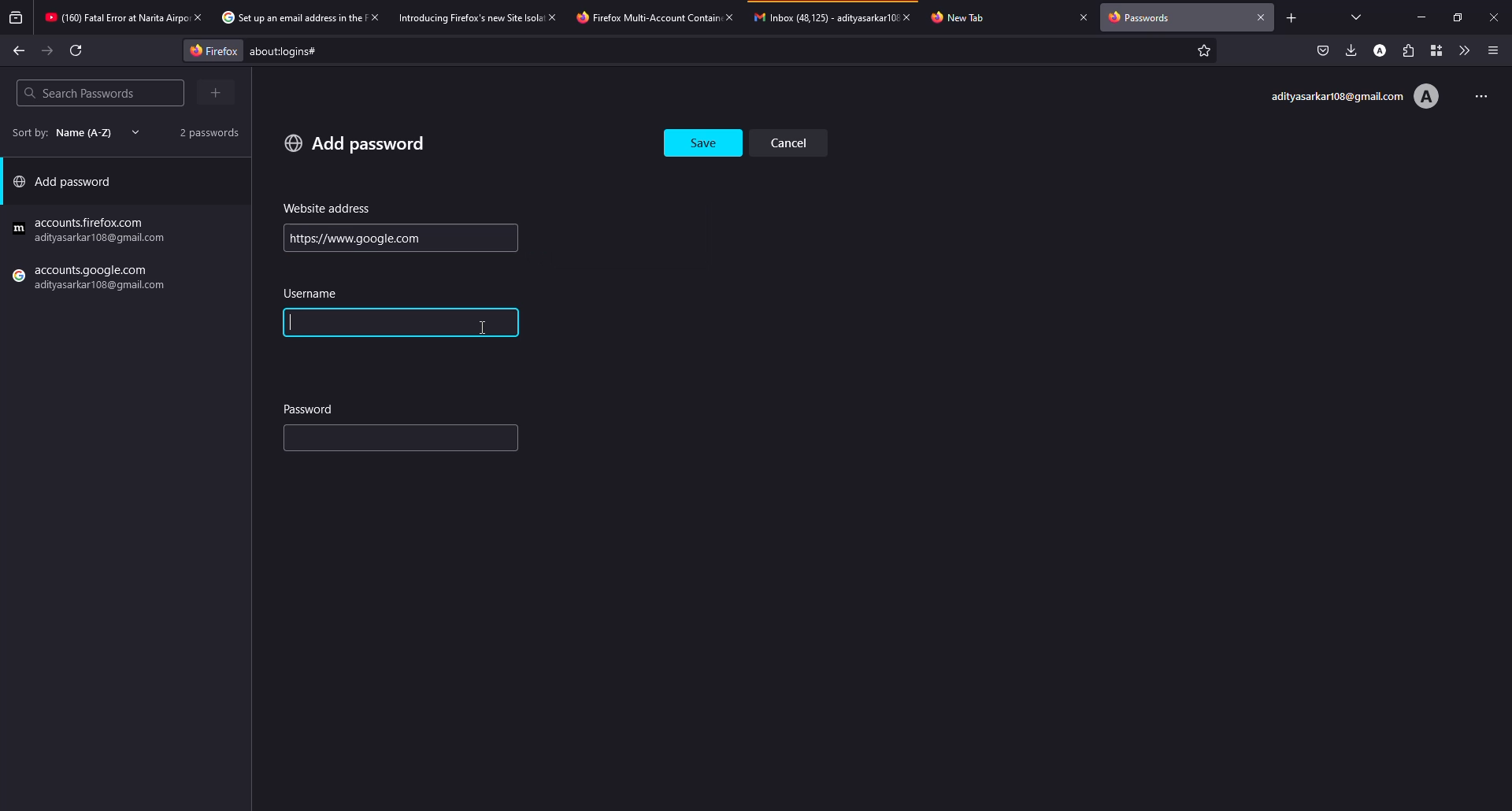 The width and height of the screenshot is (1512, 811). What do you see at coordinates (1262, 16) in the screenshot?
I see `close` at bounding box center [1262, 16].